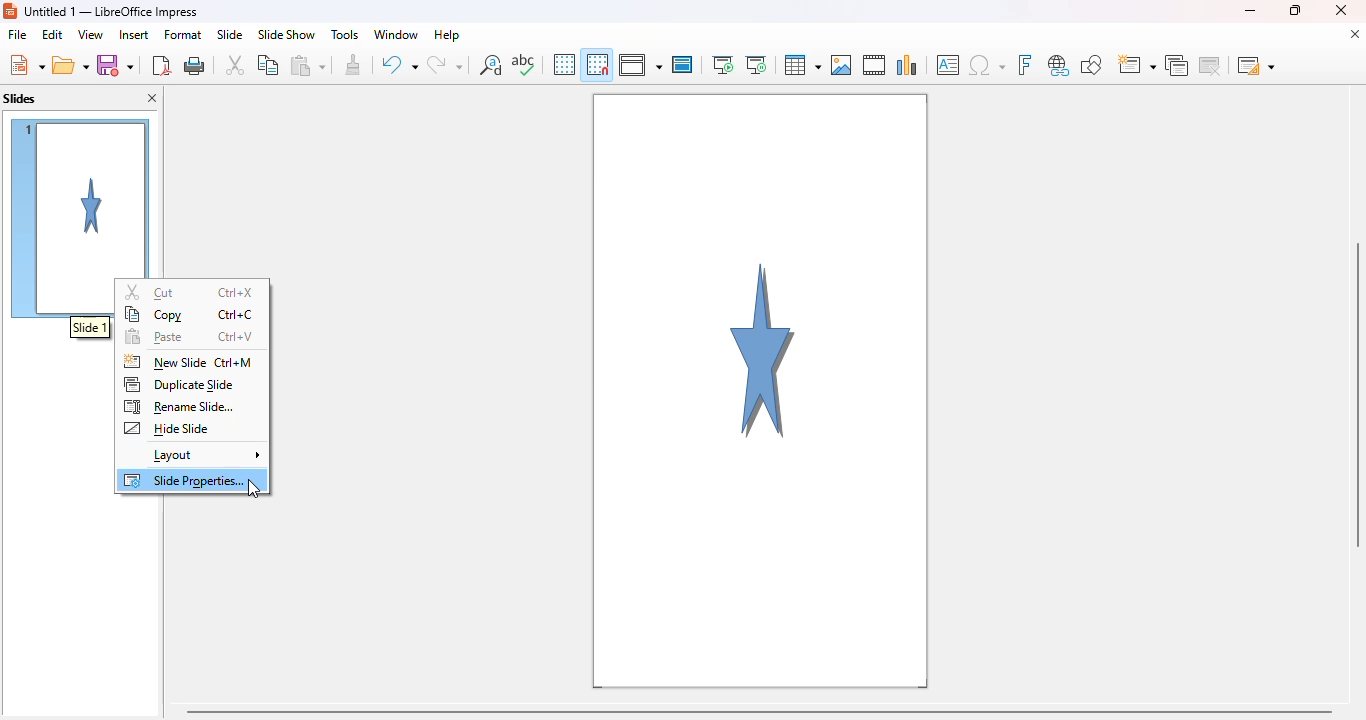 The width and height of the screenshot is (1366, 720). What do you see at coordinates (10, 11) in the screenshot?
I see `logo` at bounding box center [10, 11].